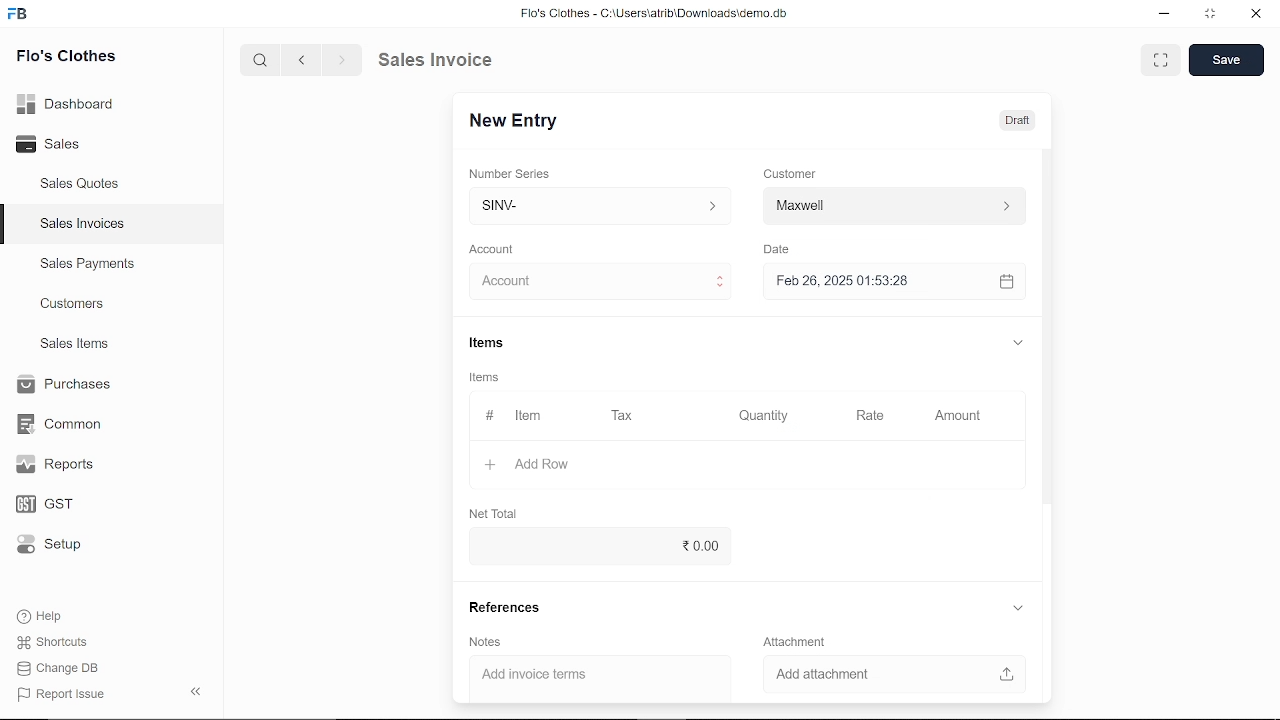 Image resolution: width=1280 pixels, height=720 pixels. I want to click on expand, so click(1019, 609).